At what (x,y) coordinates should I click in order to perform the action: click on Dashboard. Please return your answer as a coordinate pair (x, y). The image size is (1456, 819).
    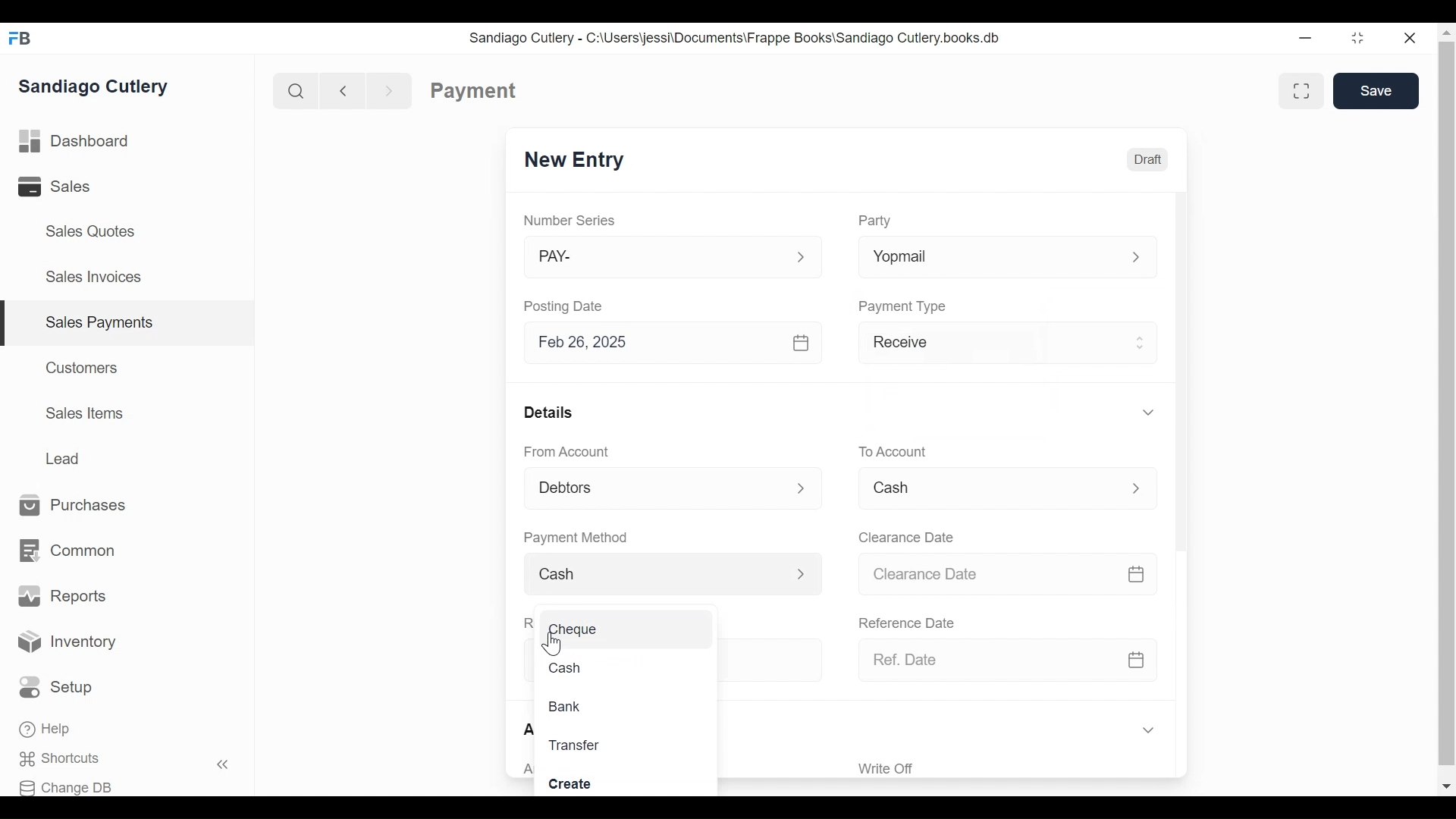
    Looking at the image, I should click on (74, 142).